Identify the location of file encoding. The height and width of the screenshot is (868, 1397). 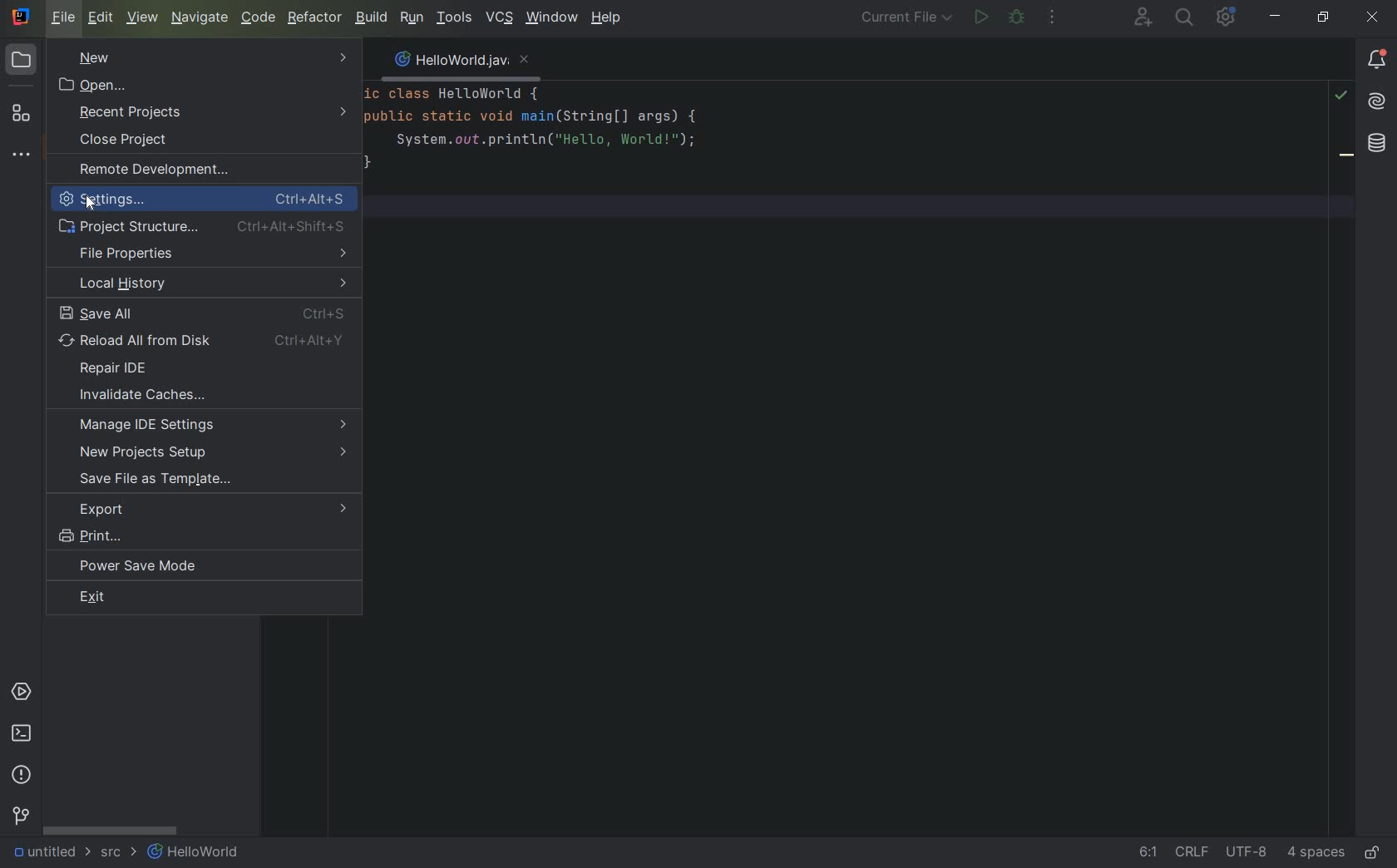
(1247, 853).